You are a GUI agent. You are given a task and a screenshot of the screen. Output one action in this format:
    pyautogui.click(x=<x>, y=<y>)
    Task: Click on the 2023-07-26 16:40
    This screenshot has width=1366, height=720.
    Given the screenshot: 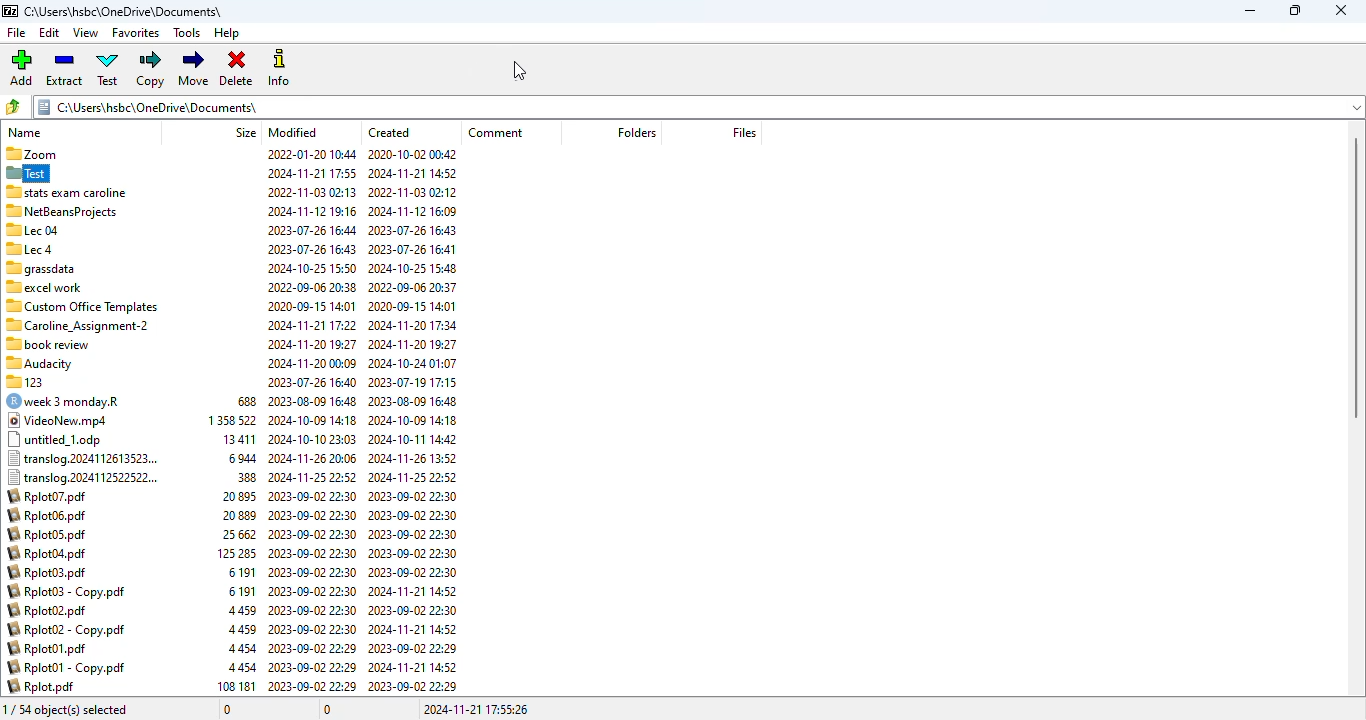 What is the action you would take?
    pyautogui.click(x=313, y=382)
    